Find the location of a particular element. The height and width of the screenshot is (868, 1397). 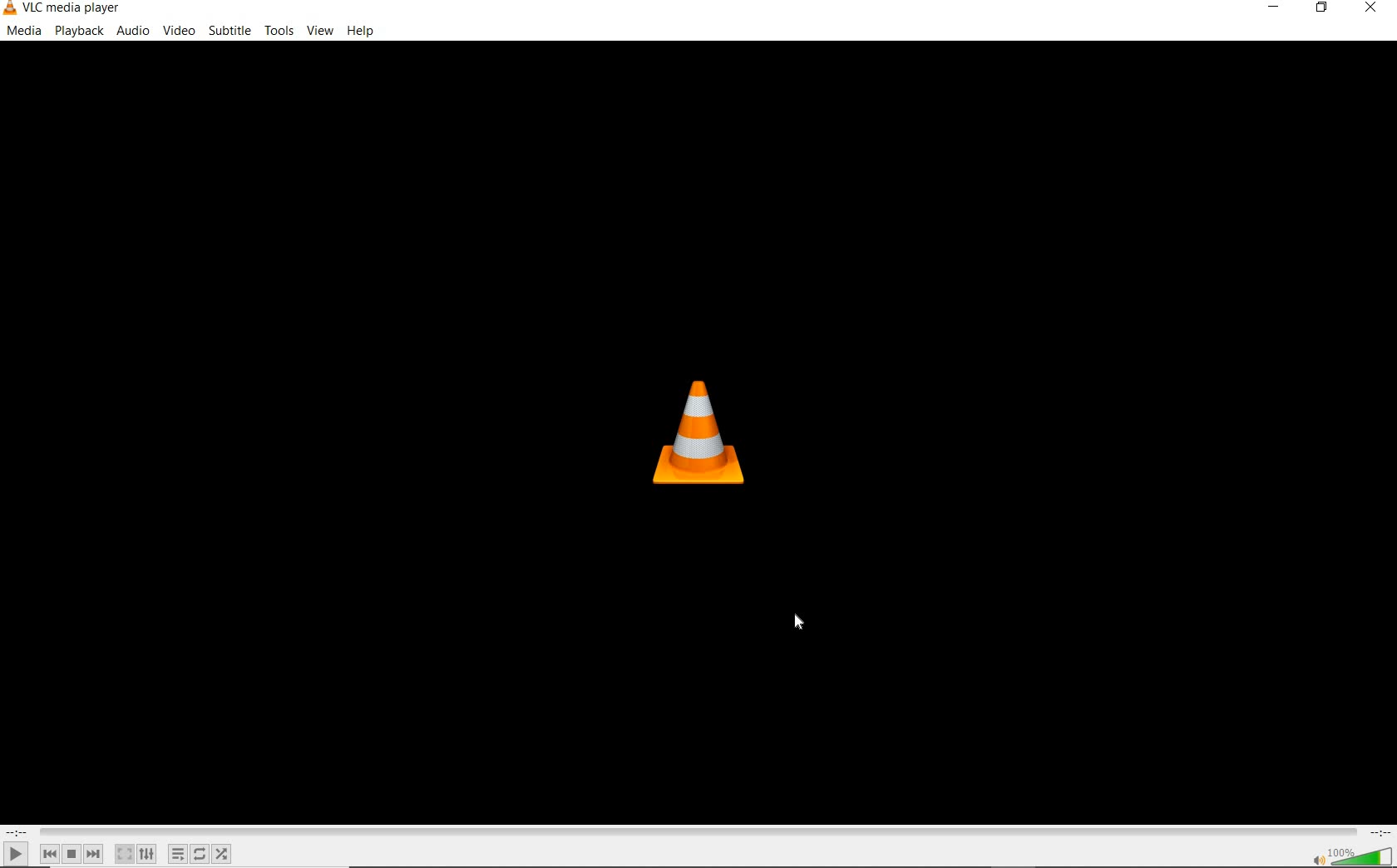

video is located at coordinates (179, 31).